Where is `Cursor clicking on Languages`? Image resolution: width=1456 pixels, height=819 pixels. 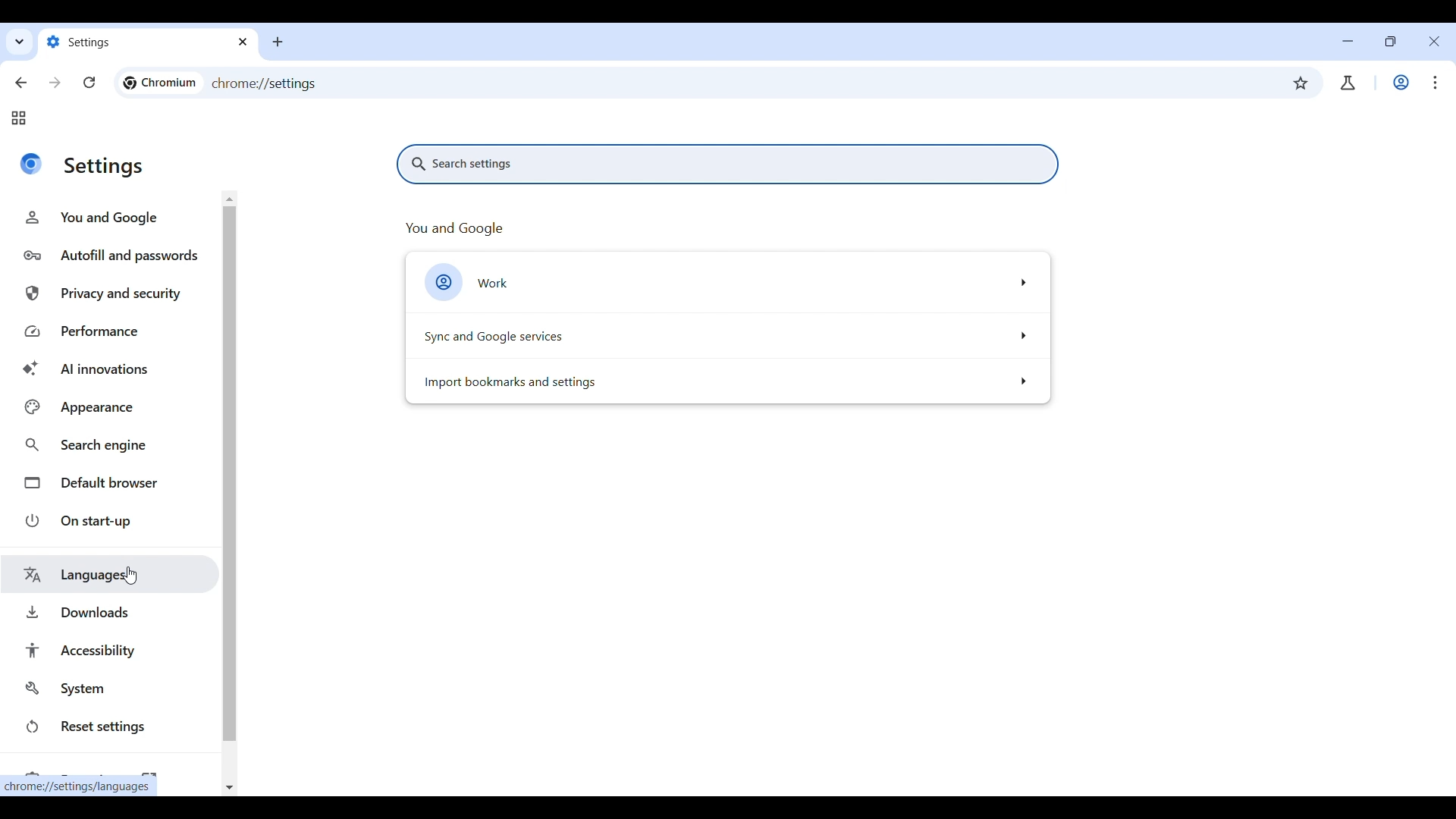
Cursor clicking on Languages is located at coordinates (130, 576).